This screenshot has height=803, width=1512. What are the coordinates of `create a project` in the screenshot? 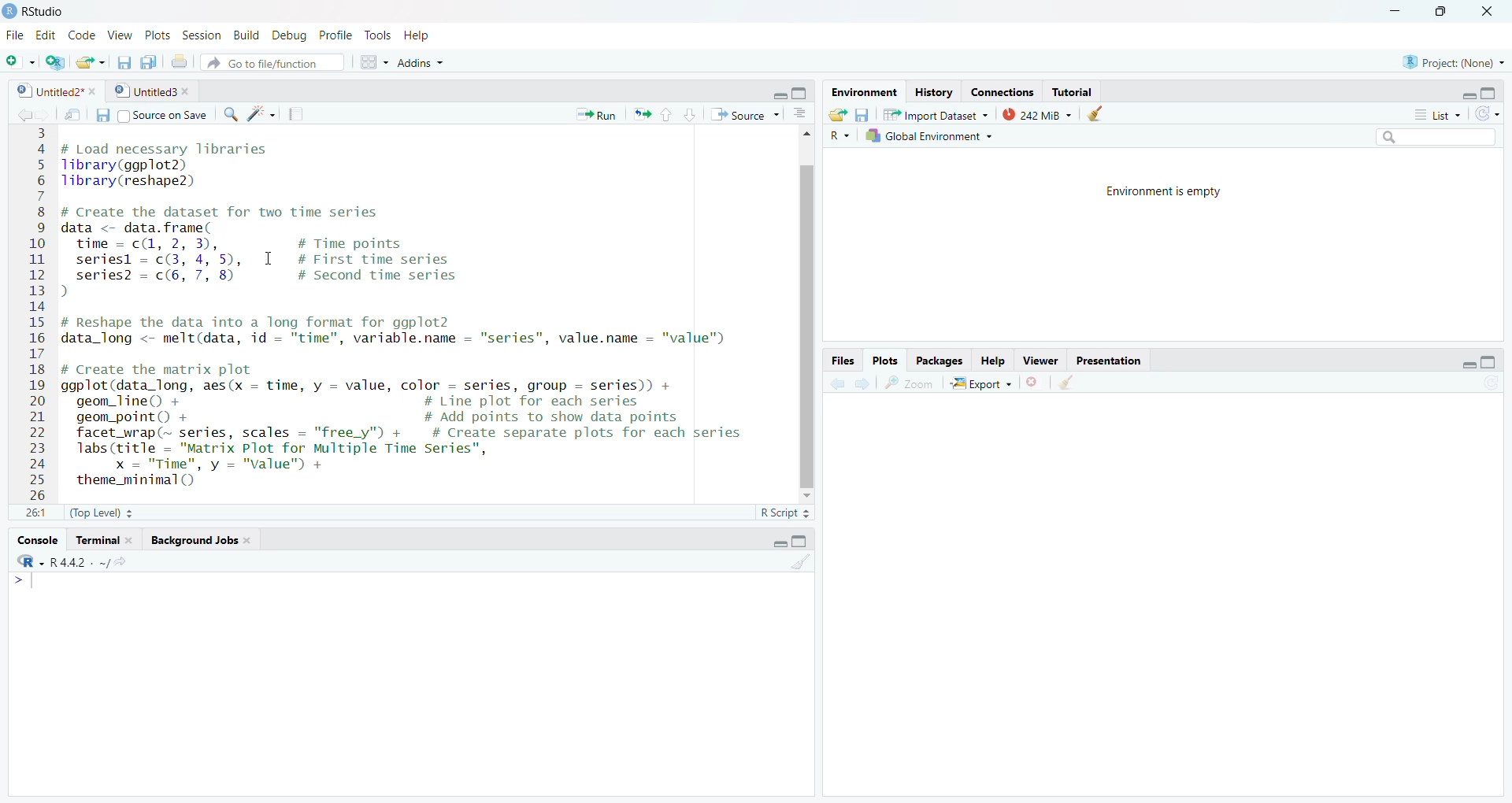 It's located at (54, 61).